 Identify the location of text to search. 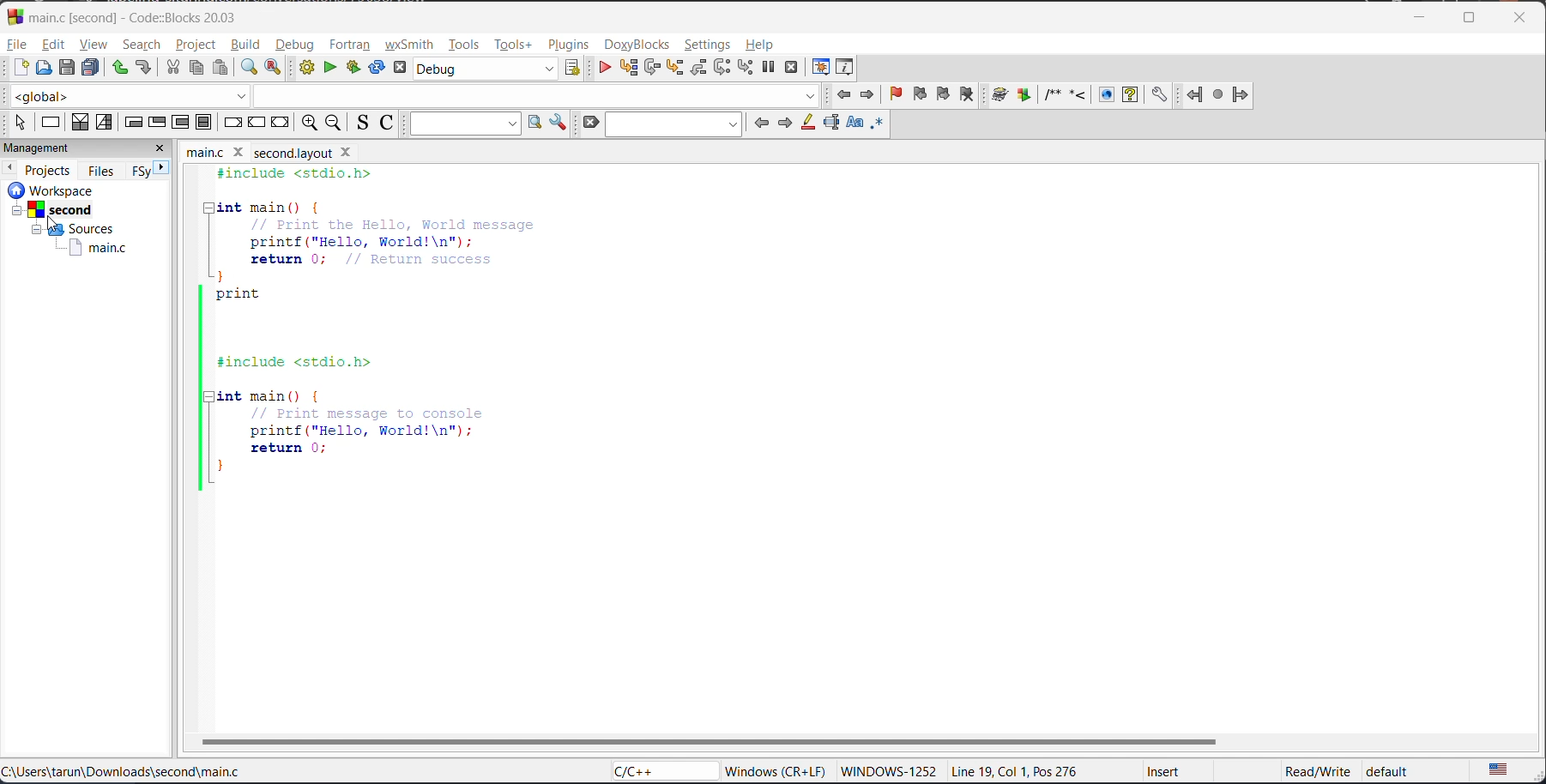
(463, 124).